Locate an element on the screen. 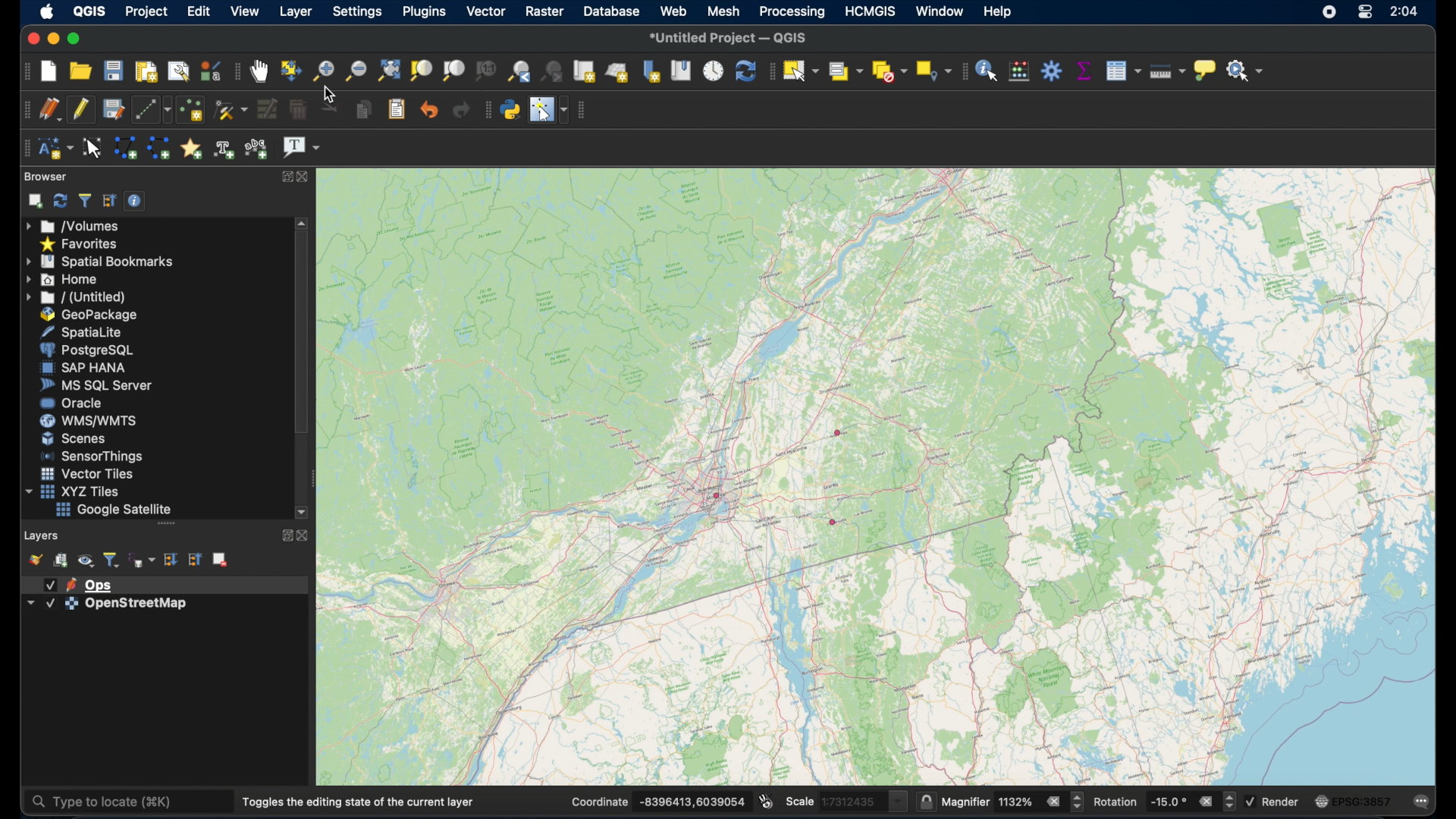 The image size is (1456, 819). select features by value is located at coordinates (844, 71).